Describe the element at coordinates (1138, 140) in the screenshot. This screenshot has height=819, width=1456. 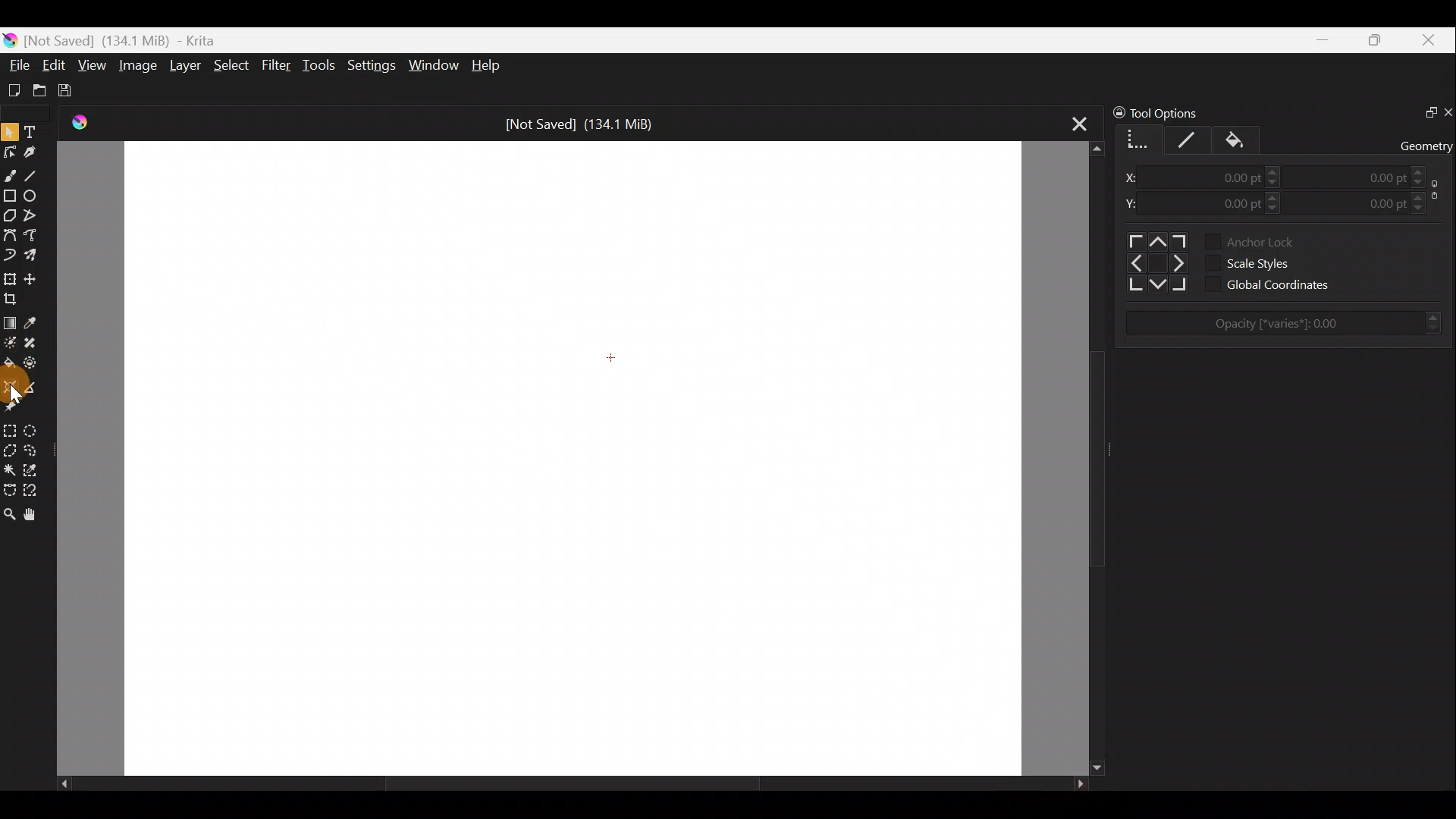
I see `Geometry` at that location.